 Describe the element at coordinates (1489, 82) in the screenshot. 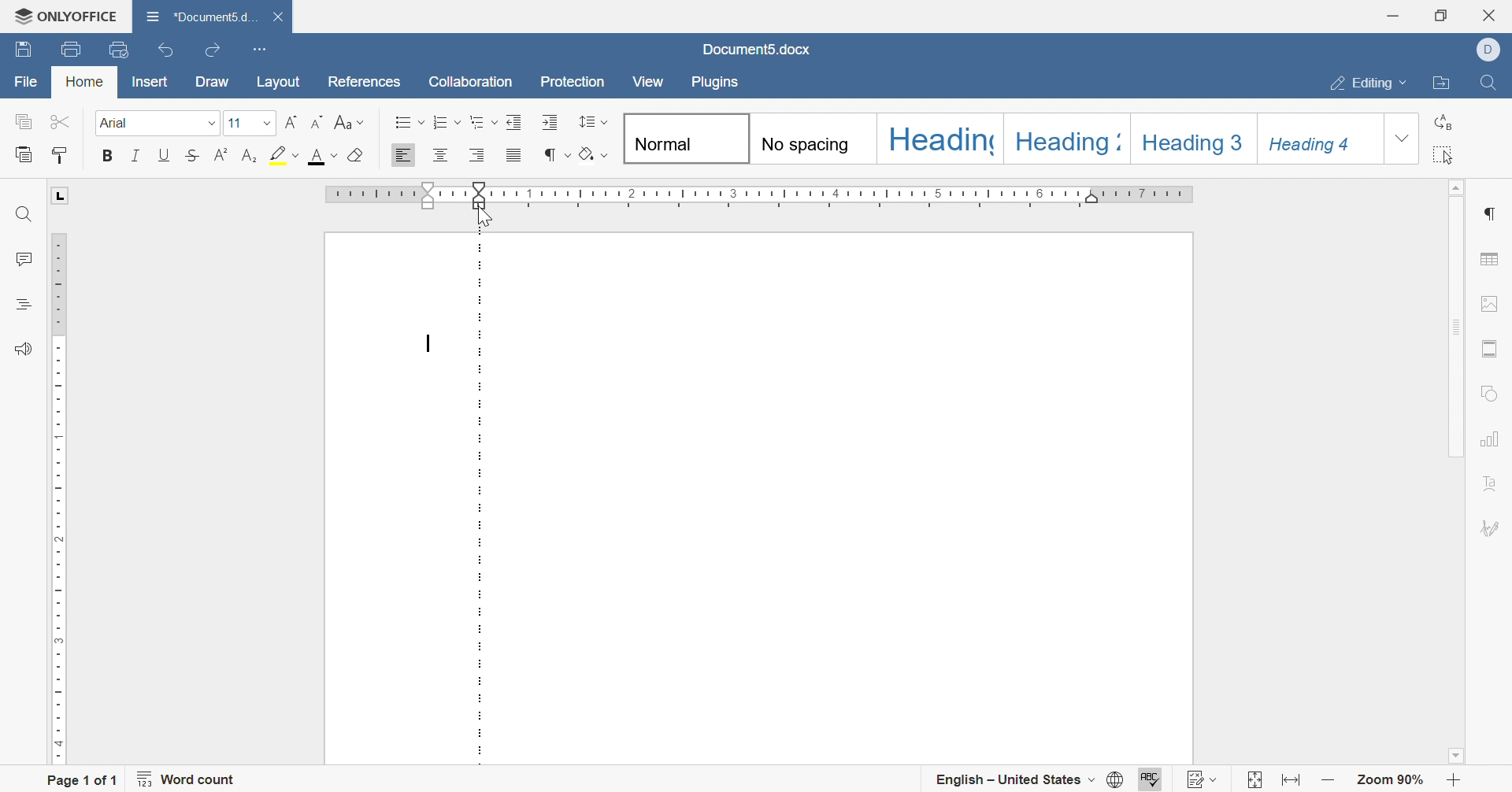

I see `find` at that location.